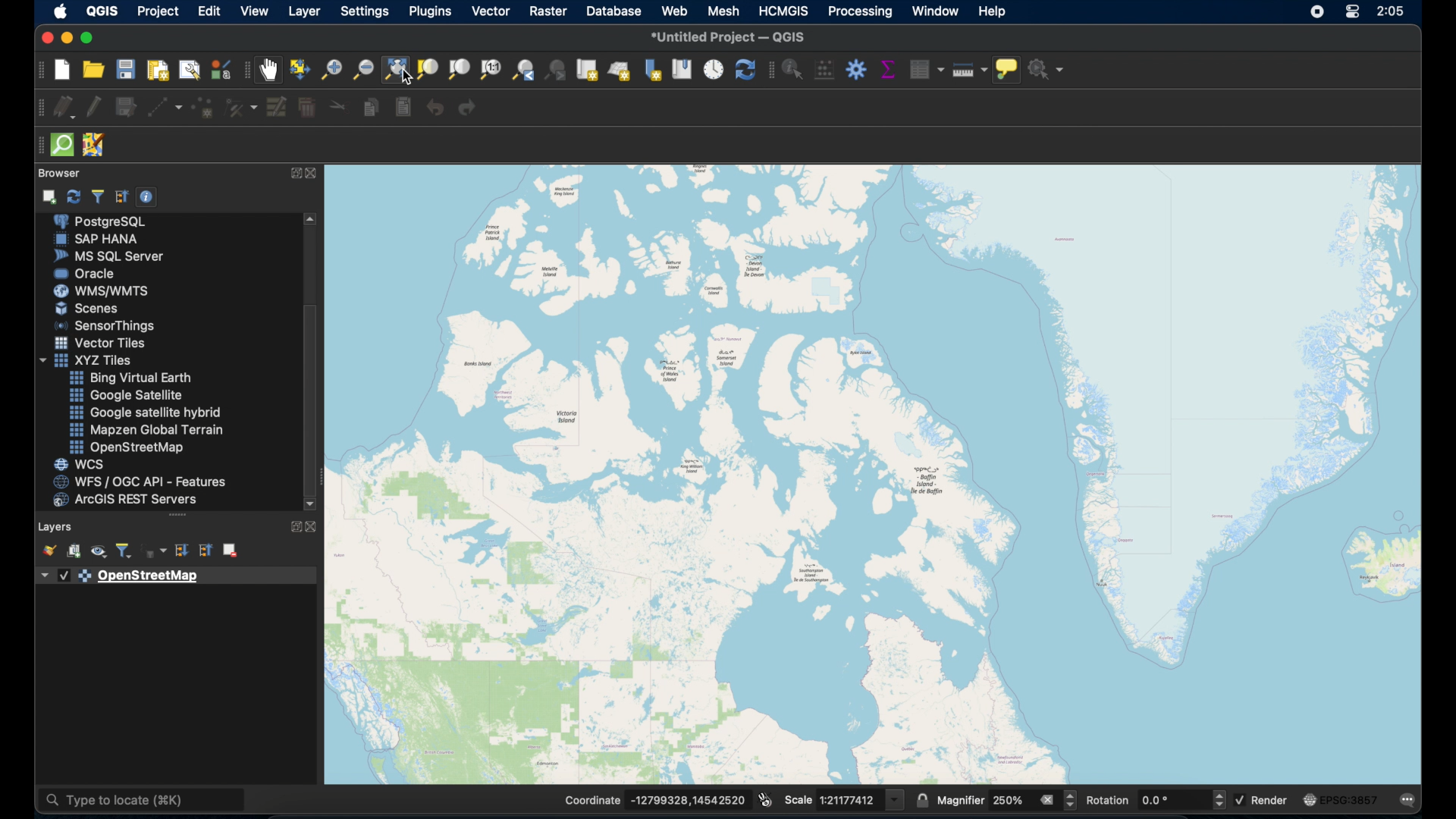  Describe the element at coordinates (299, 68) in the screenshot. I see `pan map to selection` at that location.